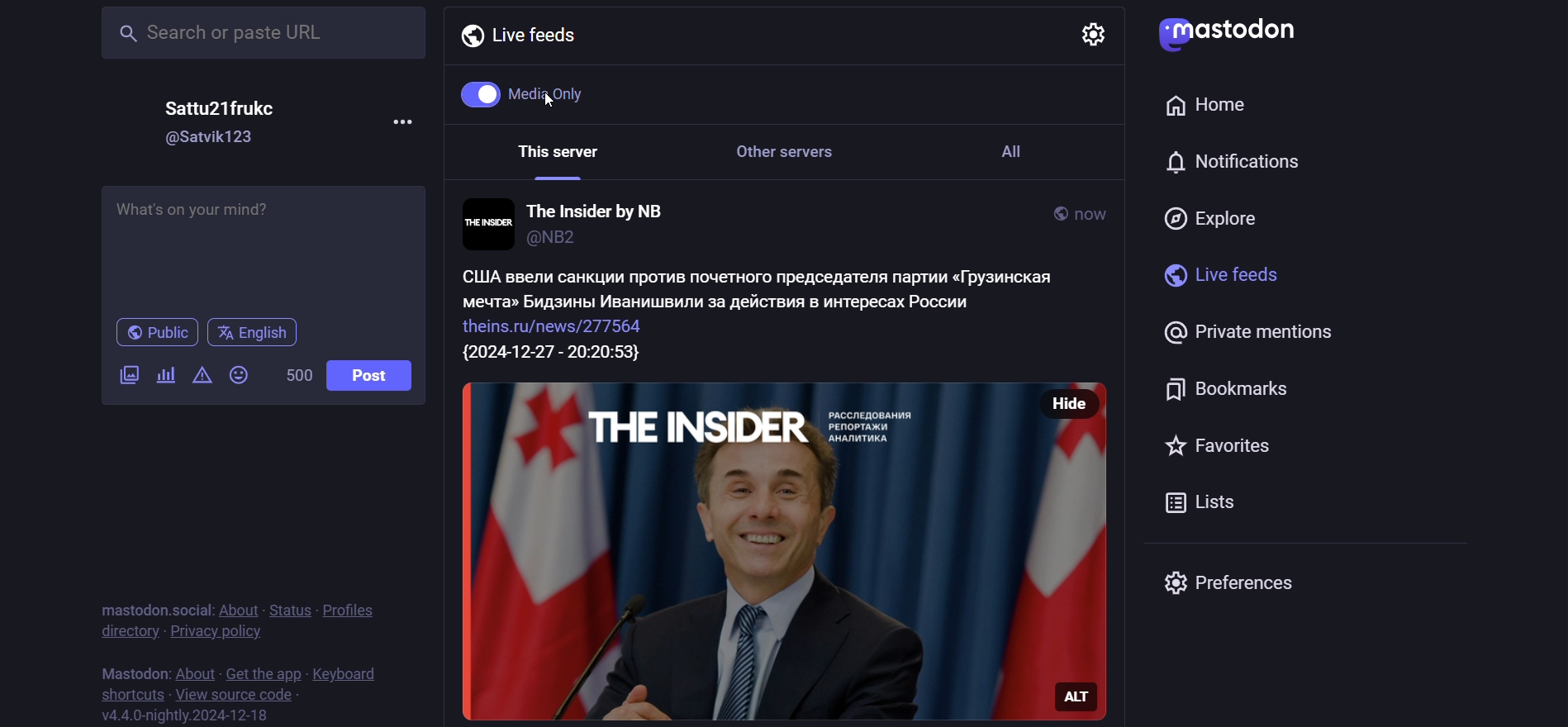 The height and width of the screenshot is (727, 1568). Describe the element at coordinates (1083, 33) in the screenshot. I see `live feed setting` at that location.